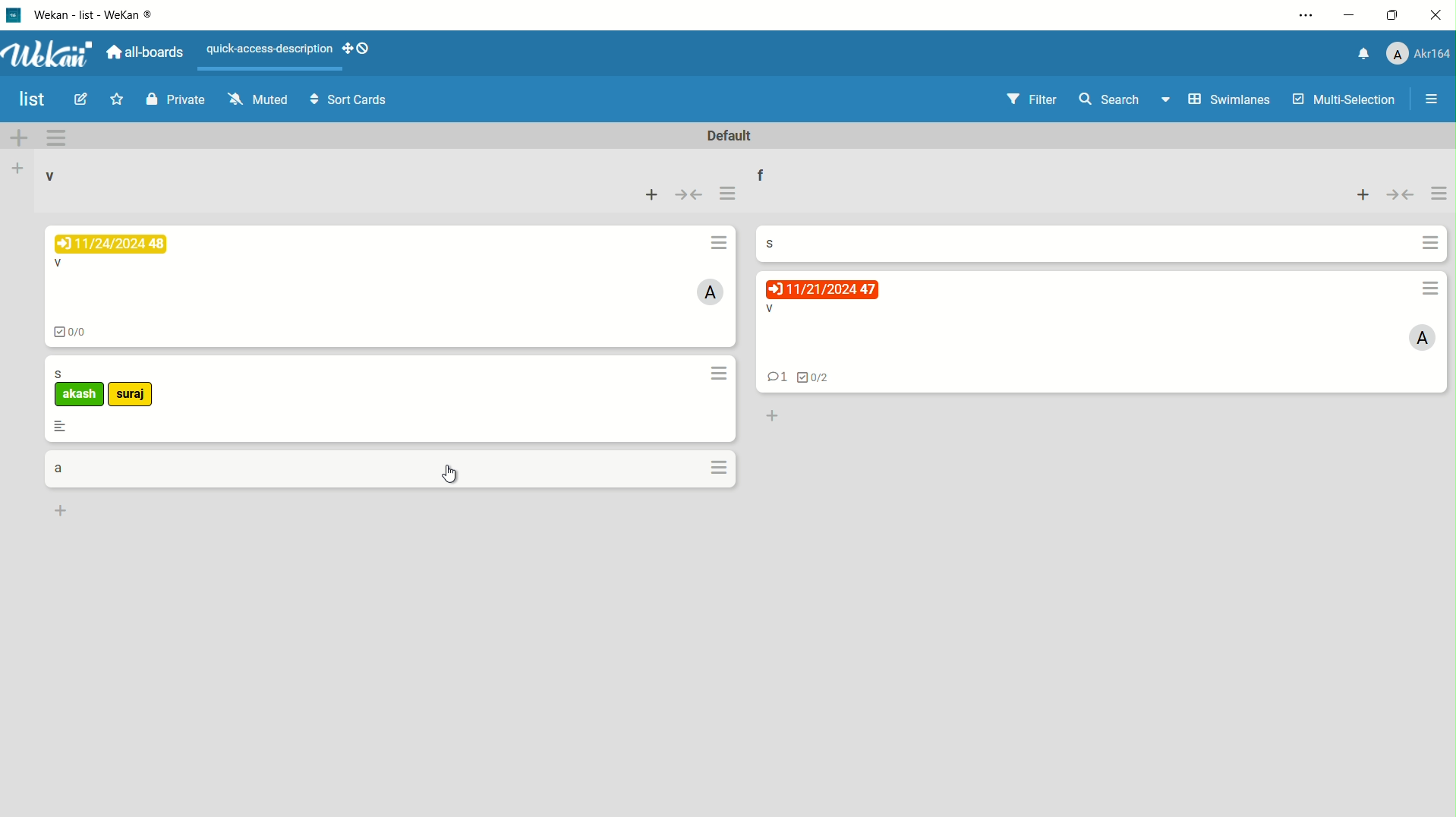 The width and height of the screenshot is (1456, 817). What do you see at coordinates (718, 374) in the screenshot?
I see `card actions` at bounding box center [718, 374].